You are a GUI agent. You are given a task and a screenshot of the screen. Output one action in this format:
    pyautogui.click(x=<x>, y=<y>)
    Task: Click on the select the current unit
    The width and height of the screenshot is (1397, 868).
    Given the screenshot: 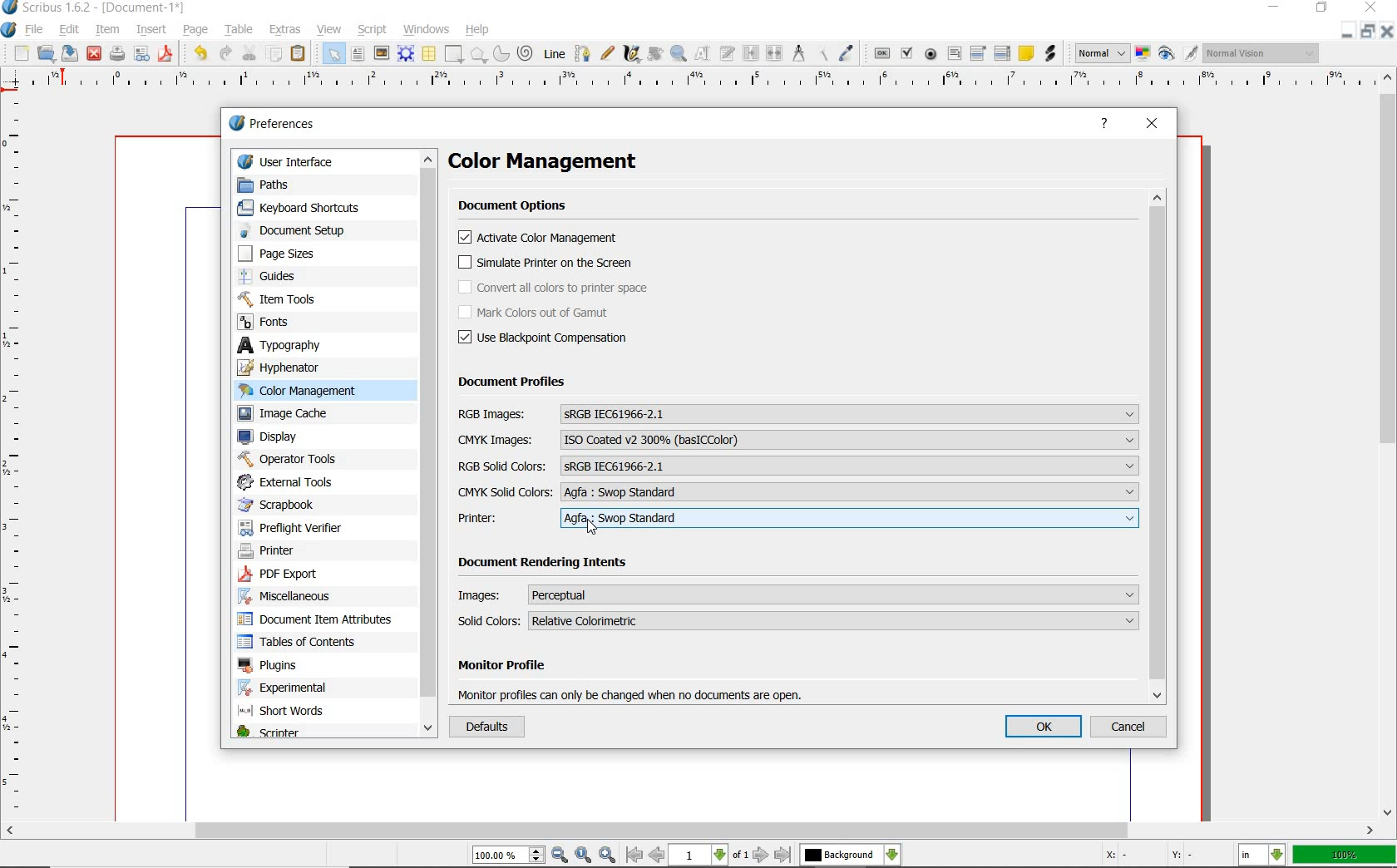 What is the action you would take?
    pyautogui.click(x=1263, y=856)
    